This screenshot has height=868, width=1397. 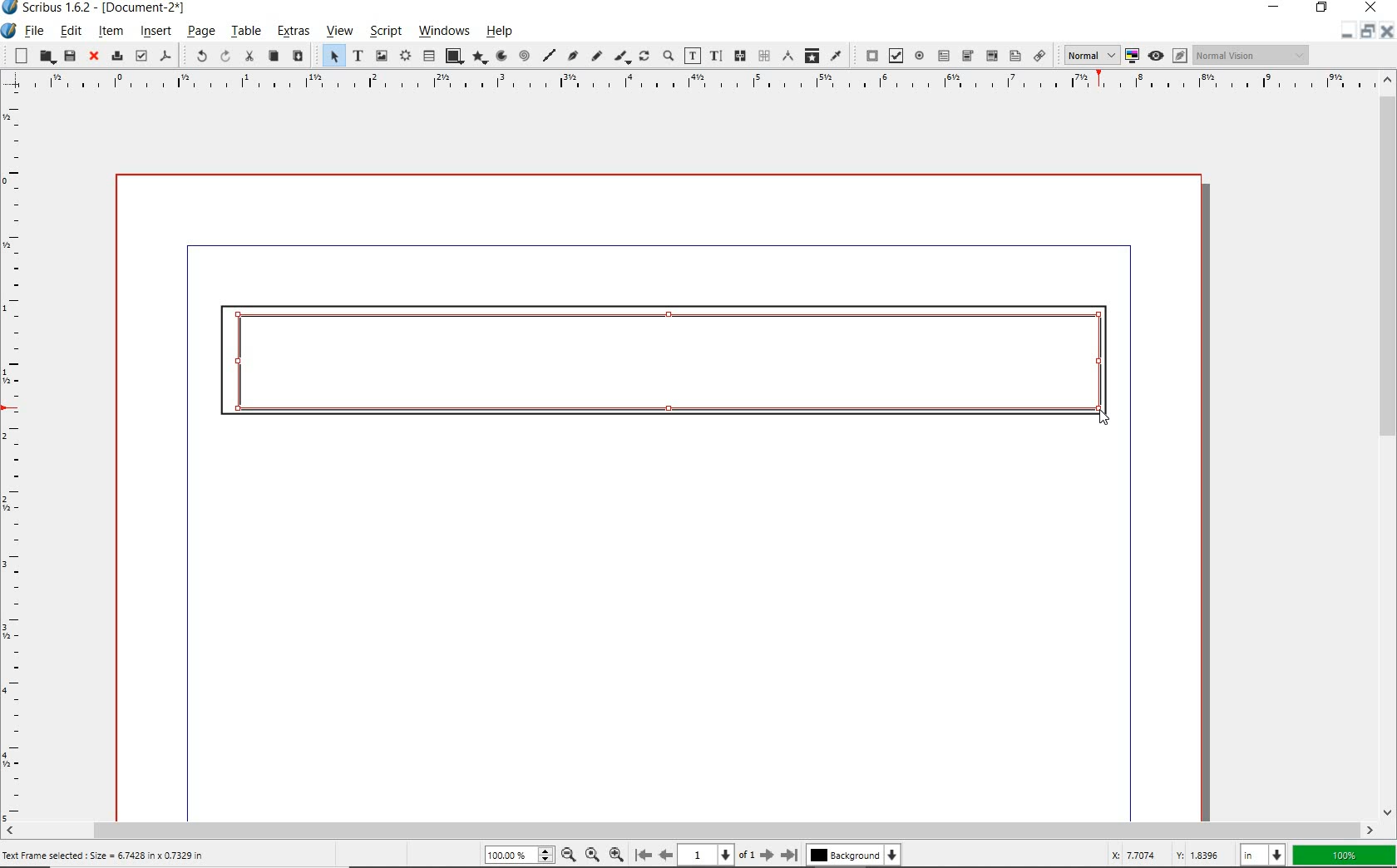 What do you see at coordinates (1098, 417) in the screenshot?
I see `cursor` at bounding box center [1098, 417].